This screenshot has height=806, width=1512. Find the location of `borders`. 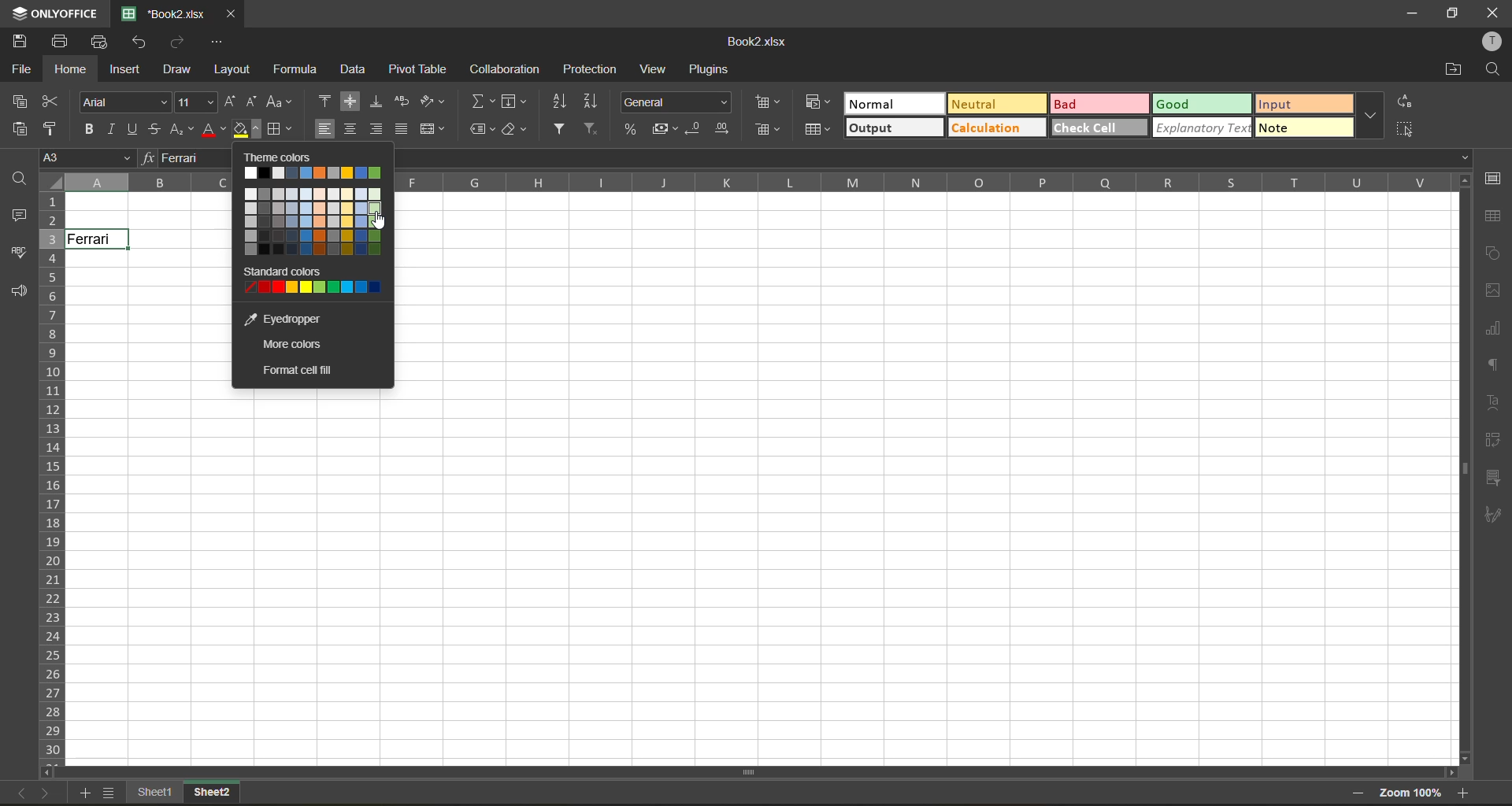

borders is located at coordinates (281, 130).